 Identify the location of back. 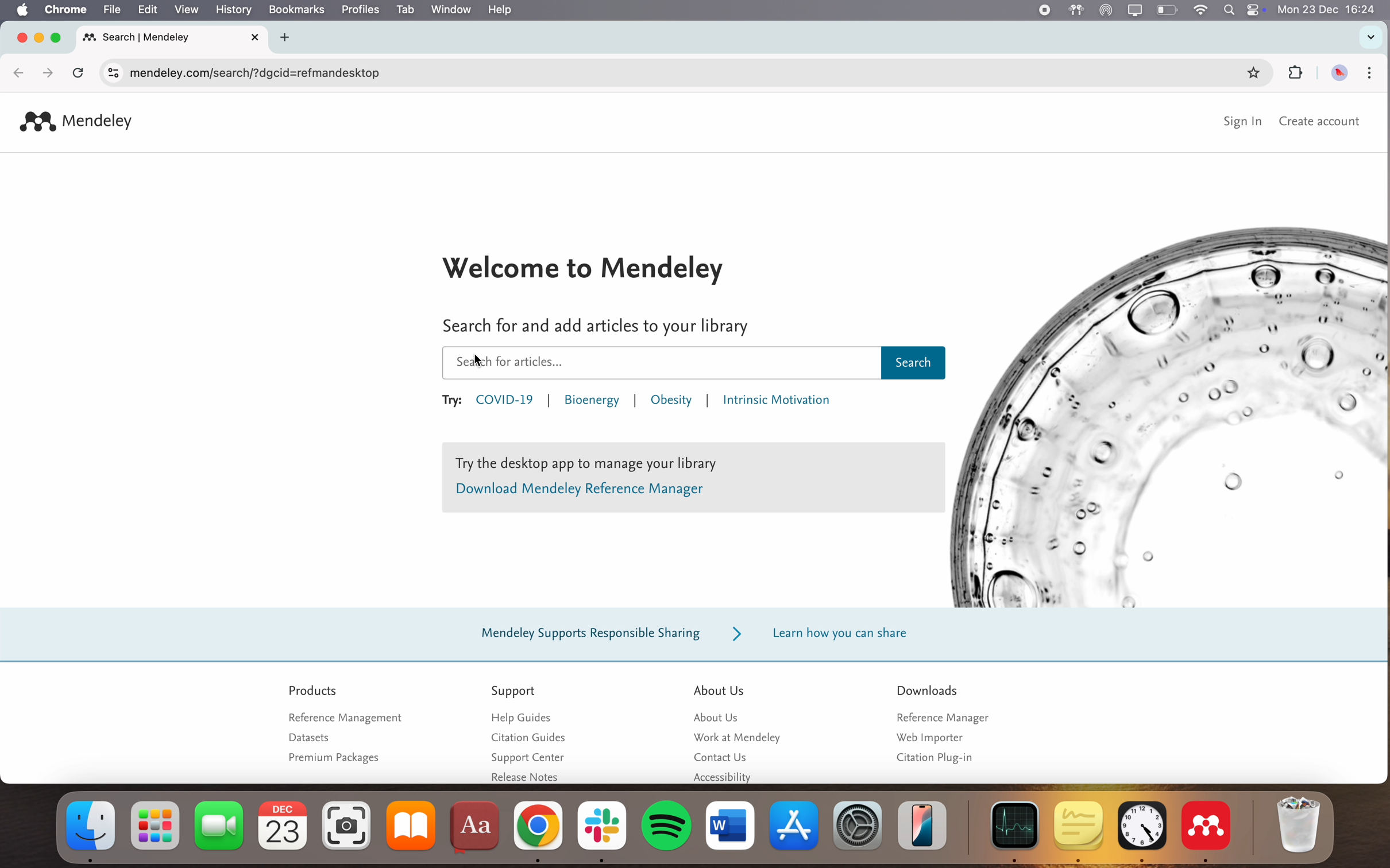
(18, 74).